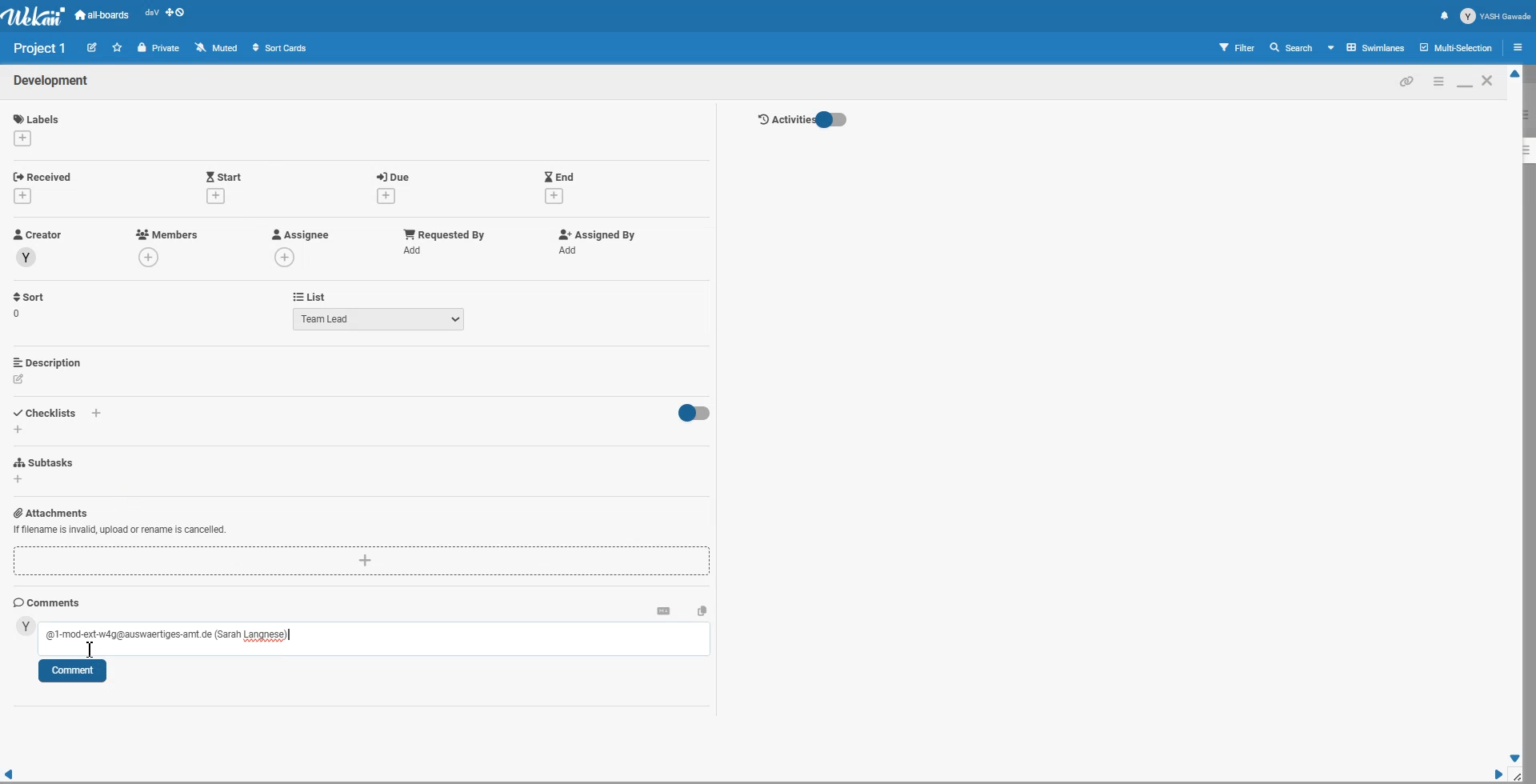 This screenshot has height=784, width=1536. I want to click on Recent open file, so click(151, 15).